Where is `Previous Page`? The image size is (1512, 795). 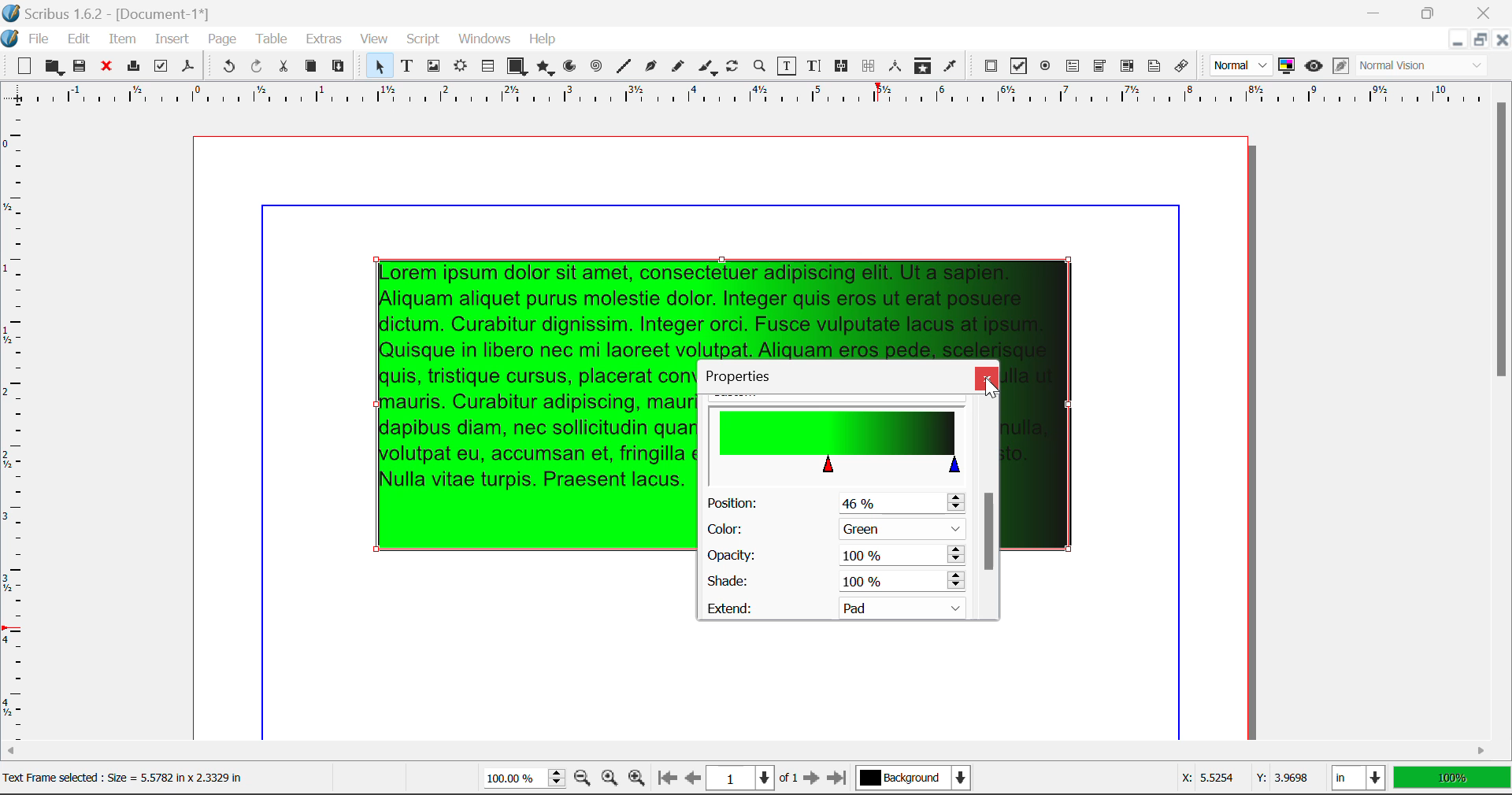
Previous Page is located at coordinates (693, 780).